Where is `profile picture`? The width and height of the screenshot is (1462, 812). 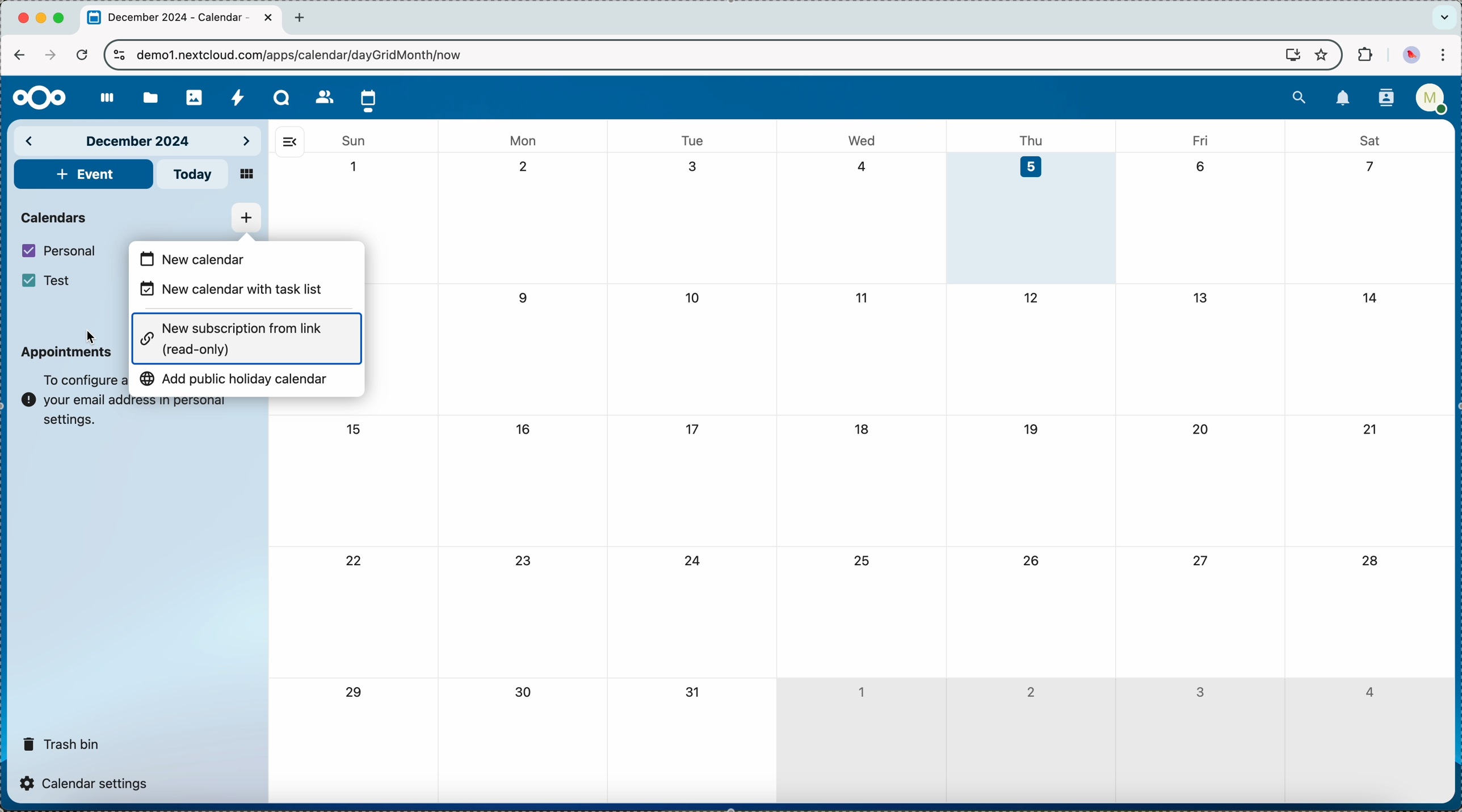 profile picture is located at coordinates (1411, 54).